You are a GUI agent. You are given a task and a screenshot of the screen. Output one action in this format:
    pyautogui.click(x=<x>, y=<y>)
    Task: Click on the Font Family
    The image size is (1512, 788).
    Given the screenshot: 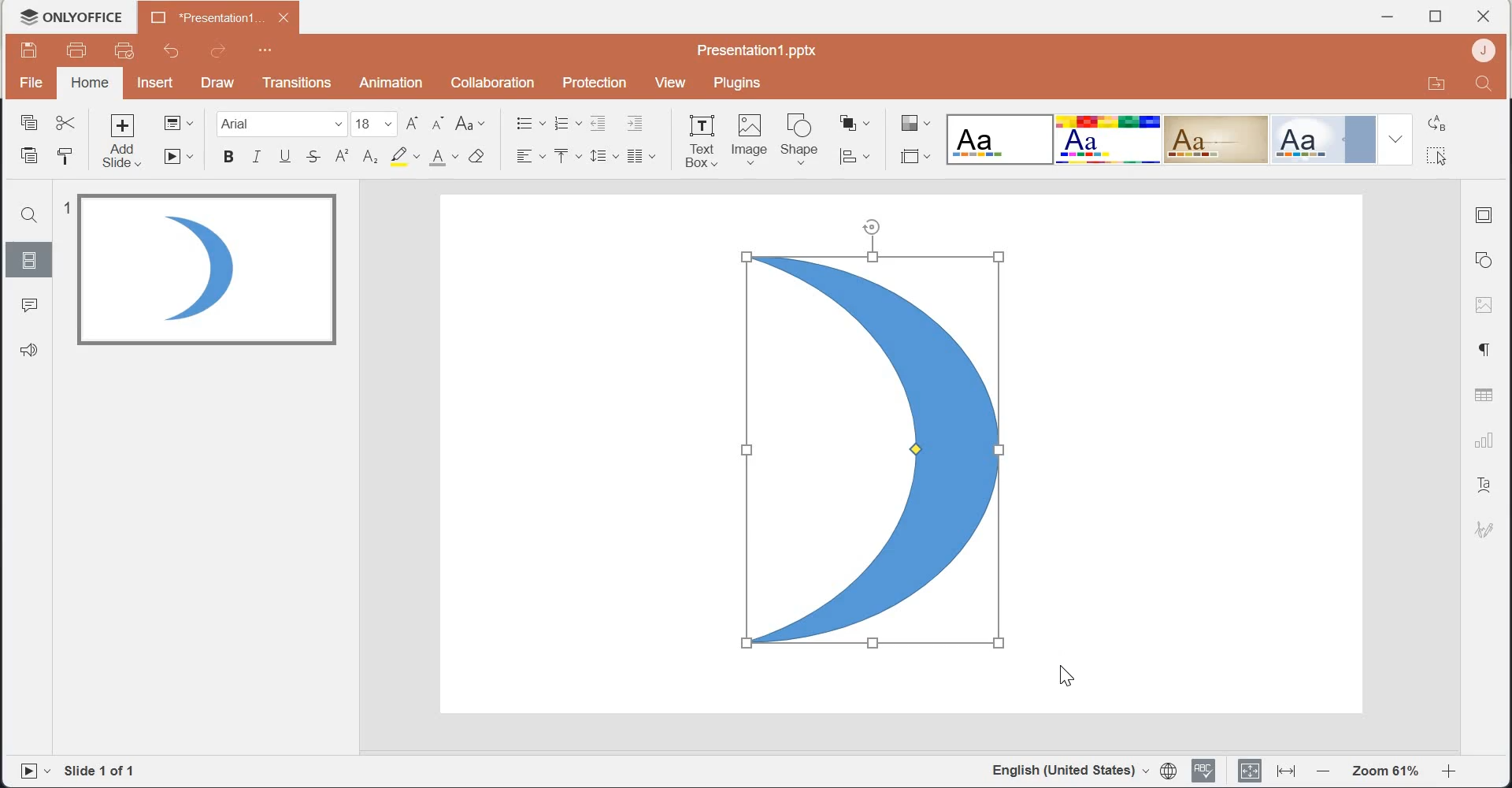 What is the action you would take?
    pyautogui.click(x=283, y=124)
    